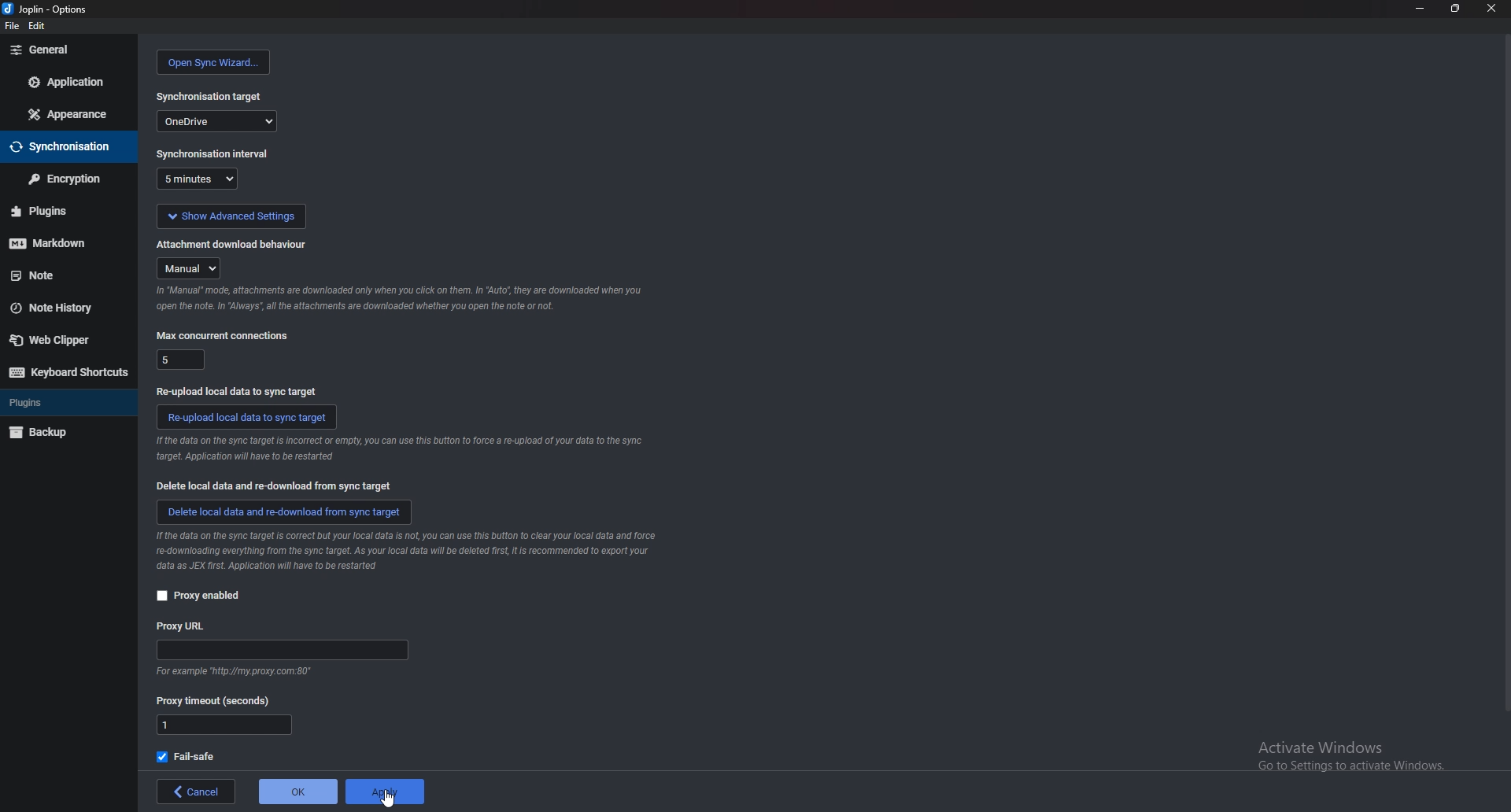 The height and width of the screenshot is (812, 1511). Describe the element at coordinates (72, 80) in the screenshot. I see `application` at that location.